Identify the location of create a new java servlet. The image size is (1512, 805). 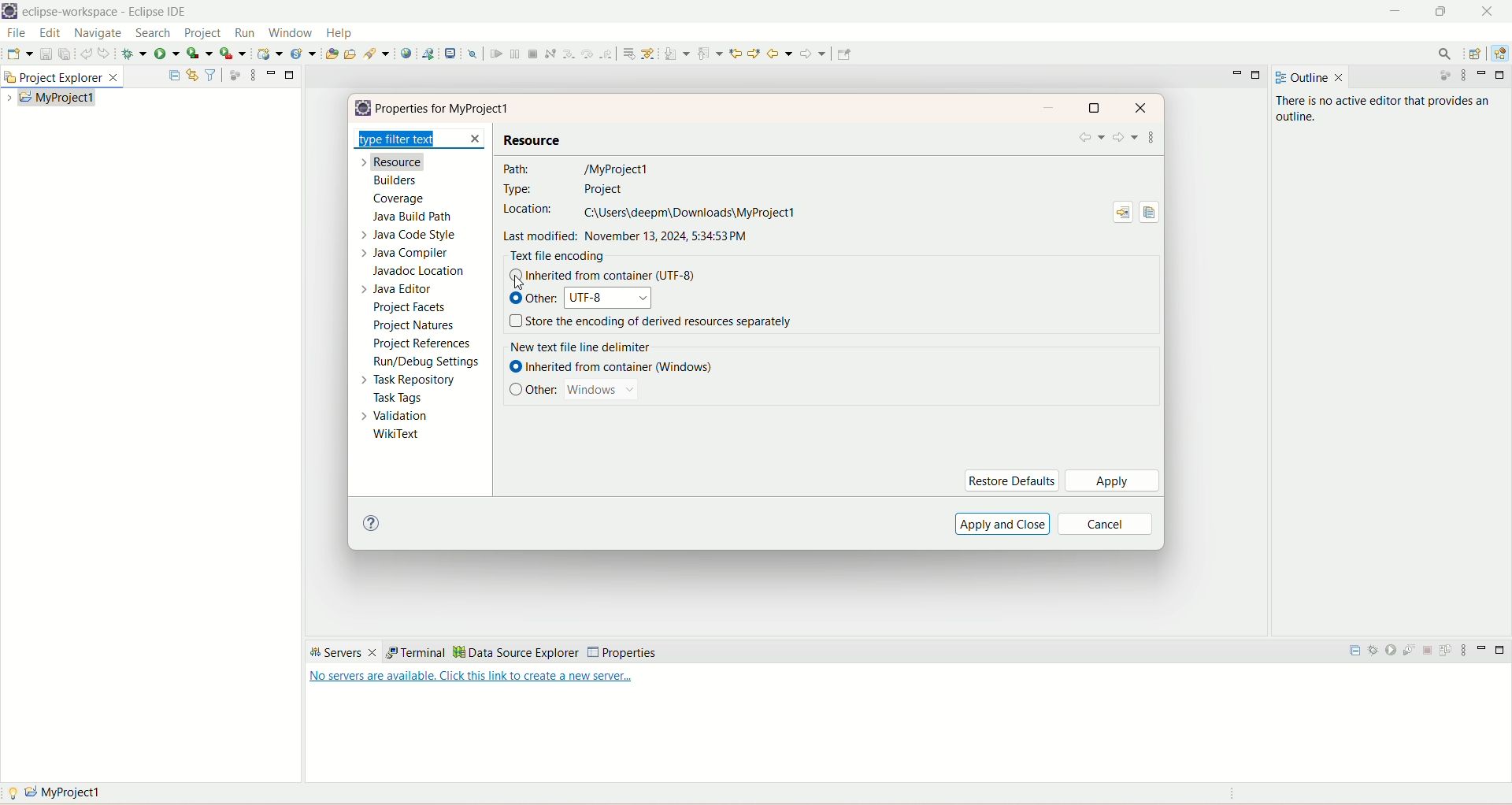
(303, 54).